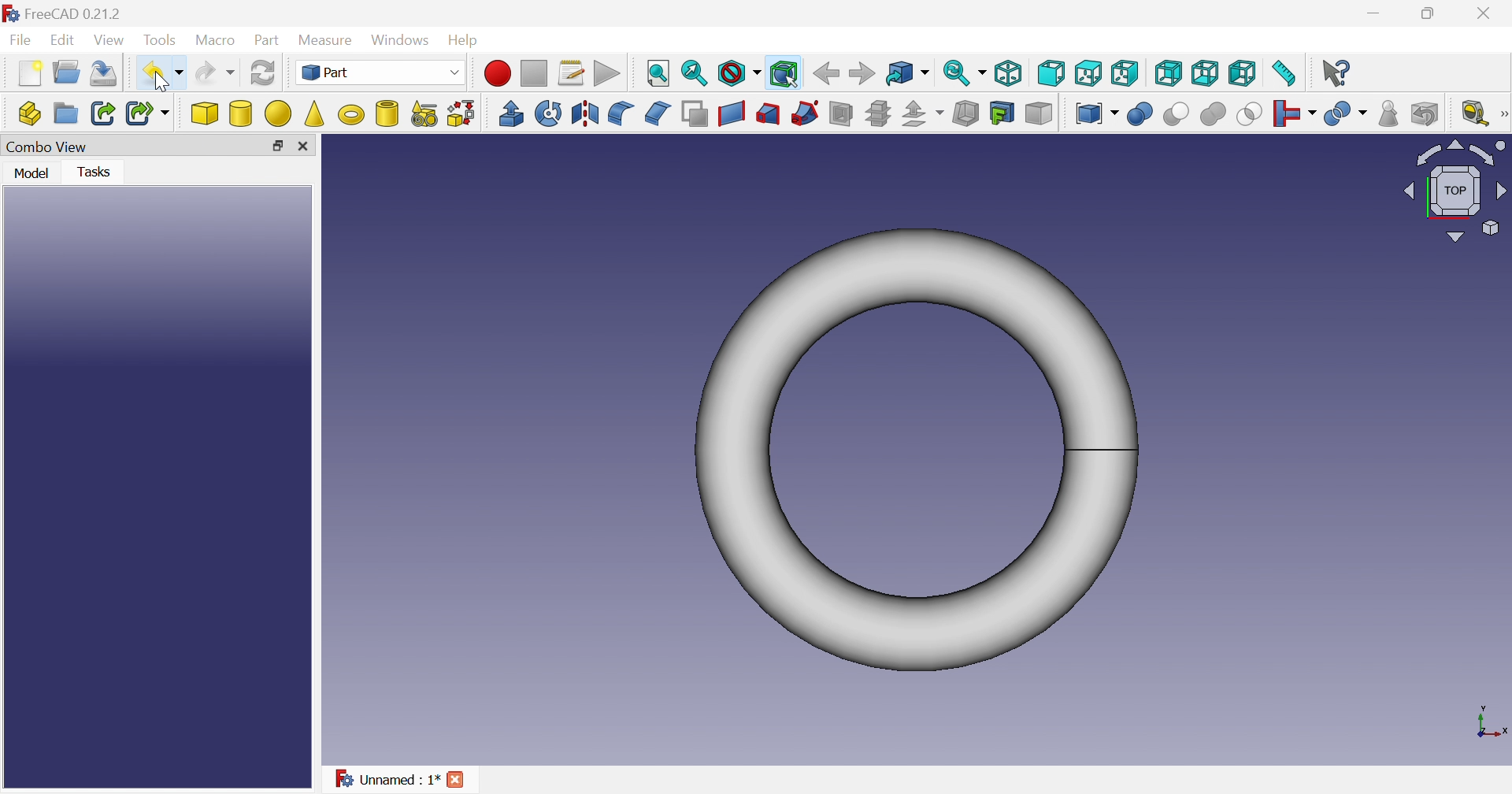 Image resolution: width=1512 pixels, height=794 pixels. What do you see at coordinates (20, 39) in the screenshot?
I see `File` at bounding box center [20, 39].